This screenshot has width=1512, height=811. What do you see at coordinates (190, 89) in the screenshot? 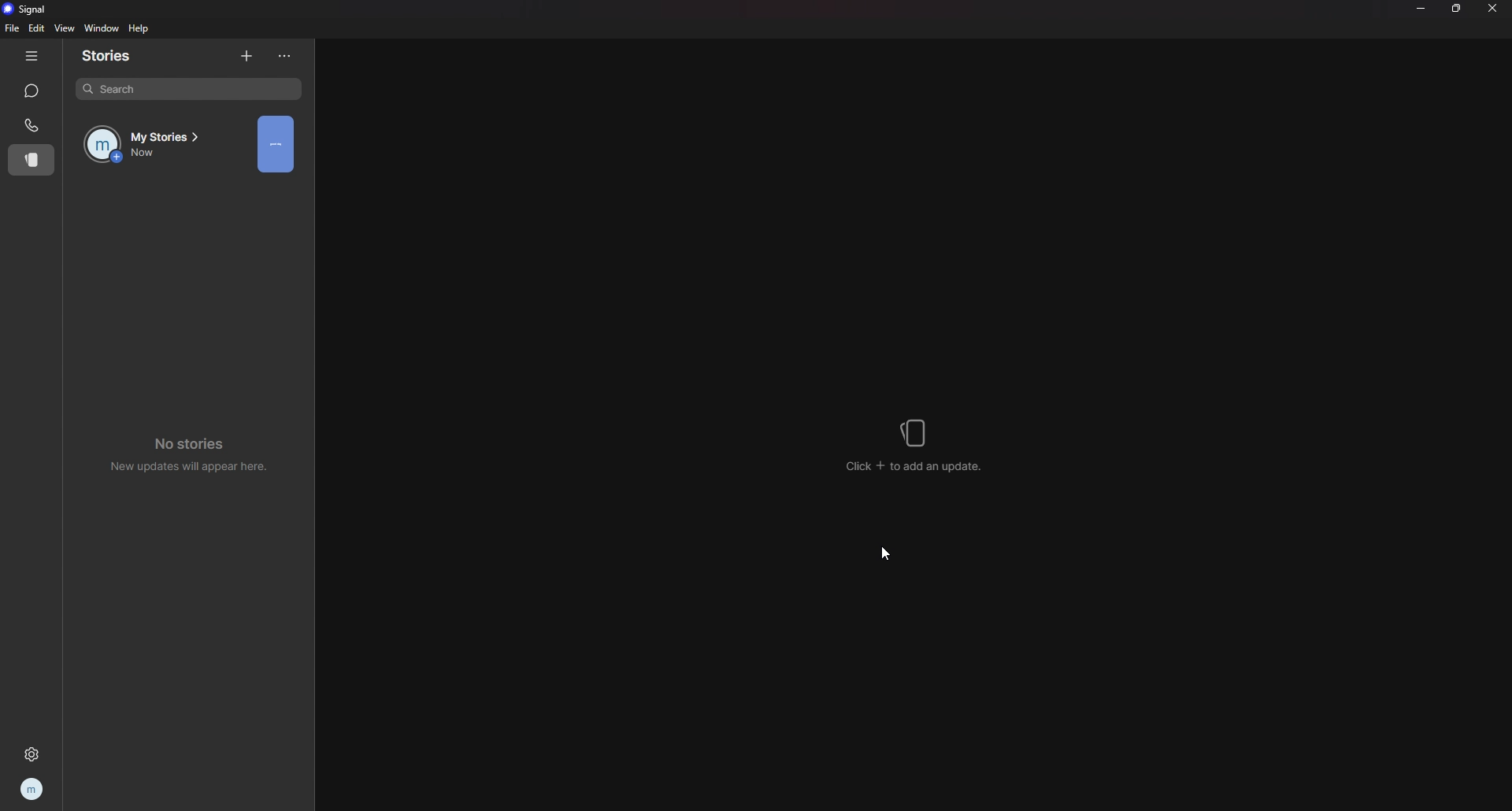
I see `search` at bounding box center [190, 89].